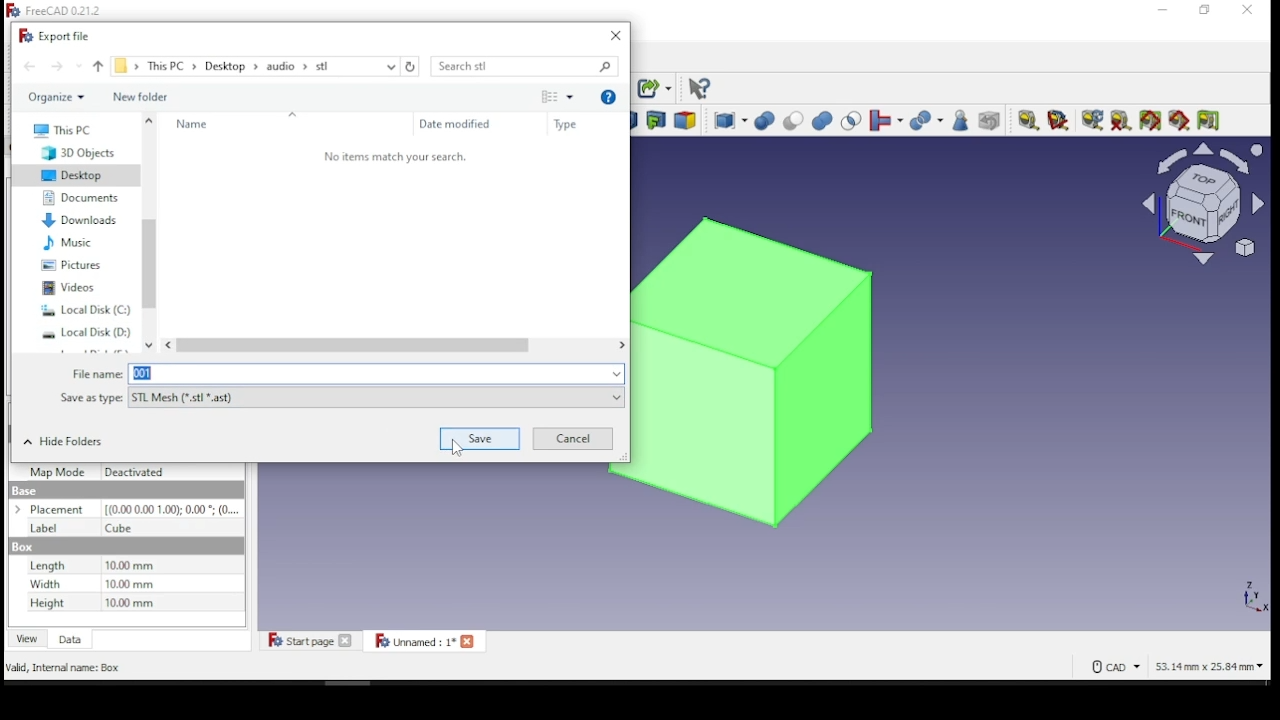 The width and height of the screenshot is (1280, 720). What do you see at coordinates (1150, 121) in the screenshot?
I see `toggle all` at bounding box center [1150, 121].